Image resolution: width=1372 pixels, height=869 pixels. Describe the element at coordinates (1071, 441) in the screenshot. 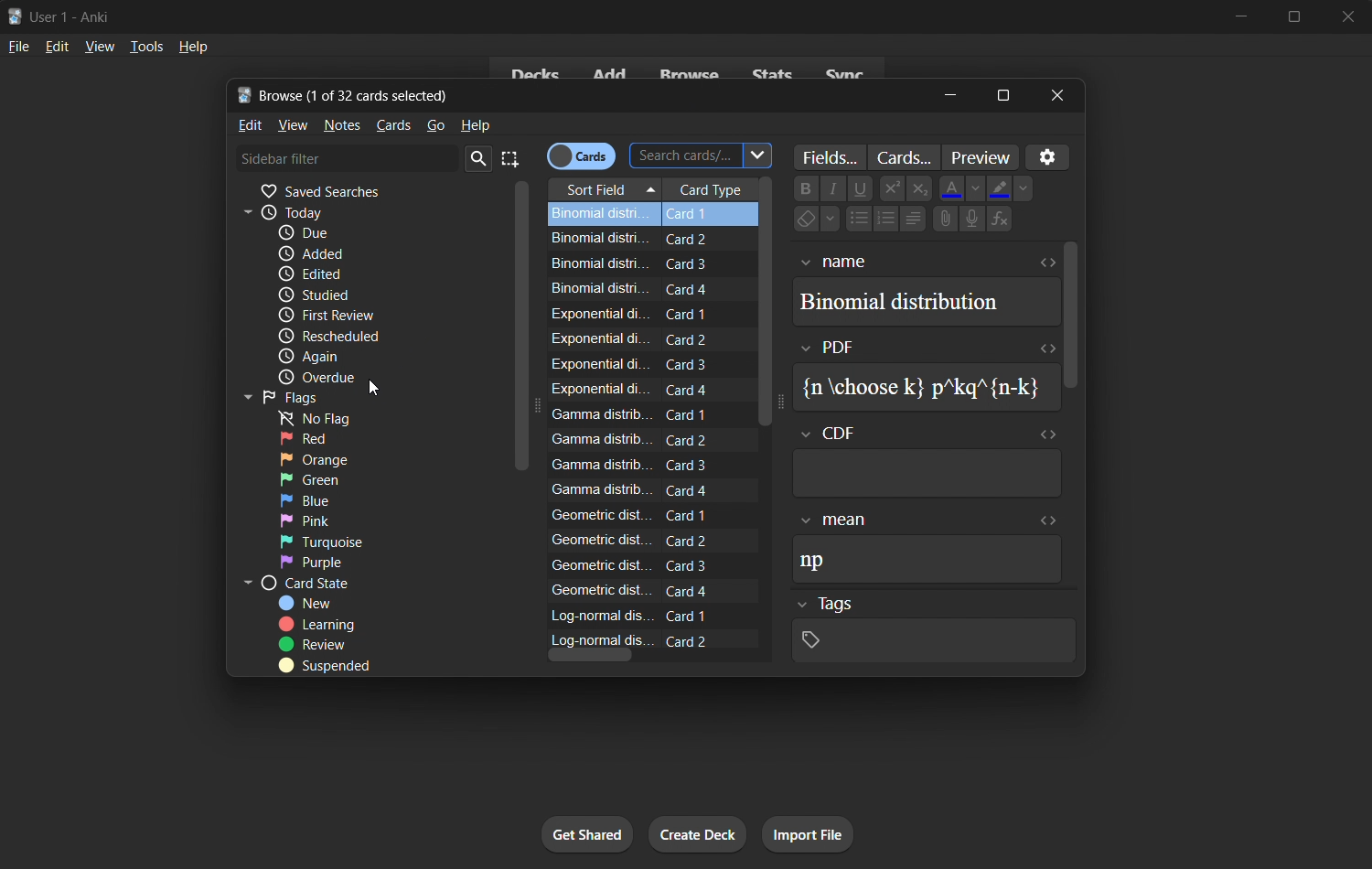

I see `vertical scrollbar` at that location.